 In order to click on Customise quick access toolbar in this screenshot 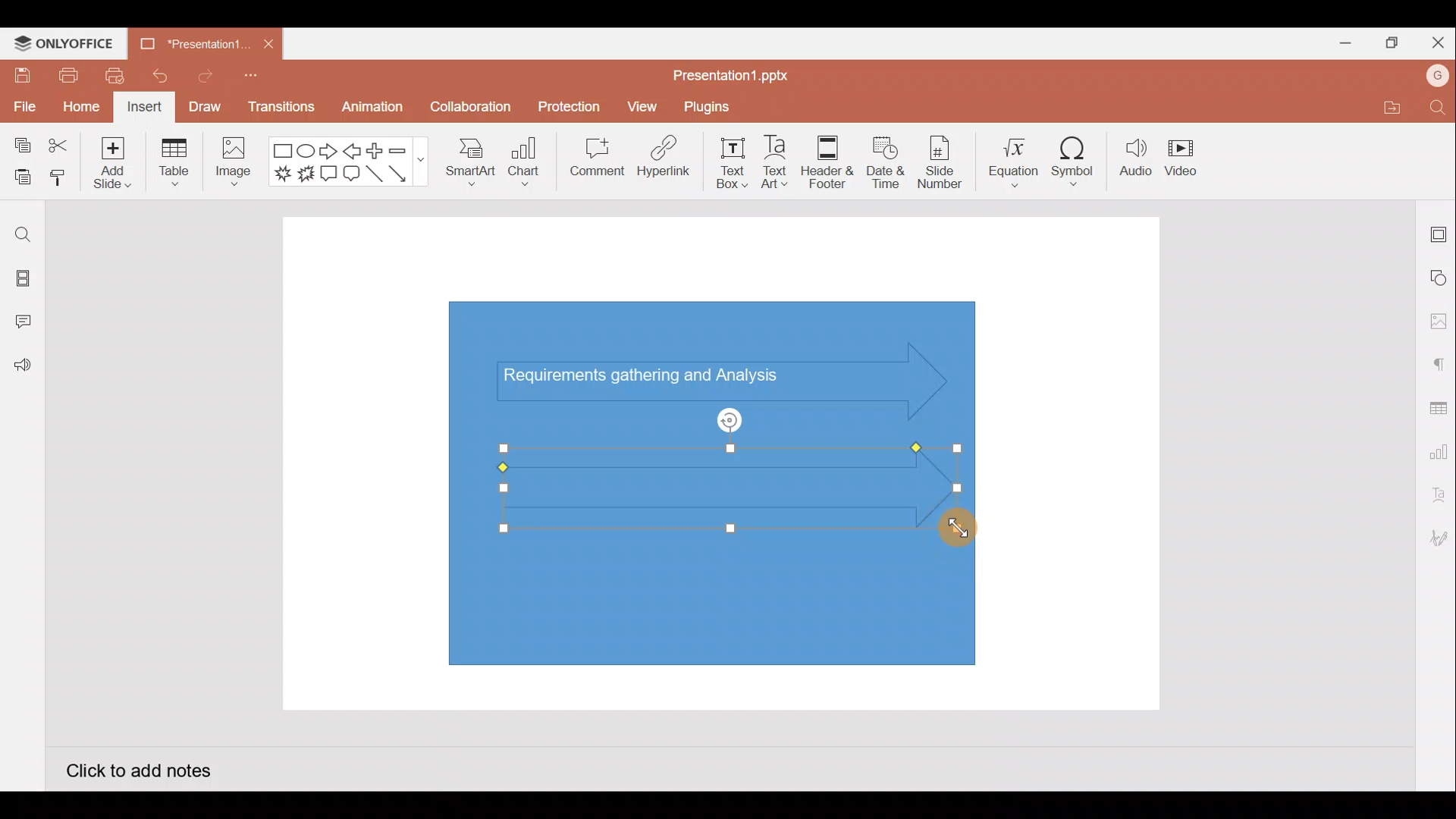, I will do `click(256, 80)`.